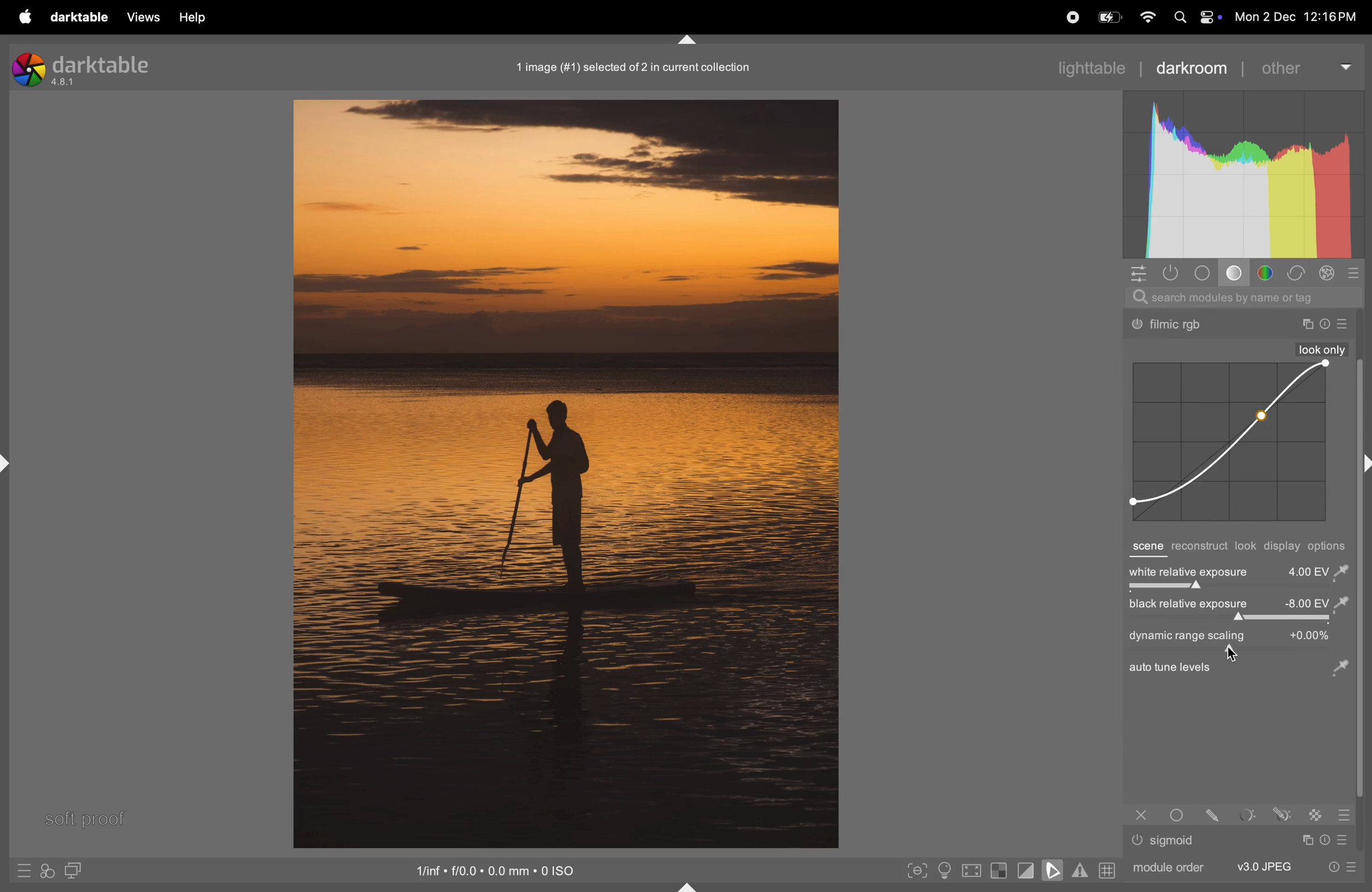 This screenshot has height=892, width=1372. Describe the element at coordinates (1301, 18) in the screenshot. I see `date and time` at that location.